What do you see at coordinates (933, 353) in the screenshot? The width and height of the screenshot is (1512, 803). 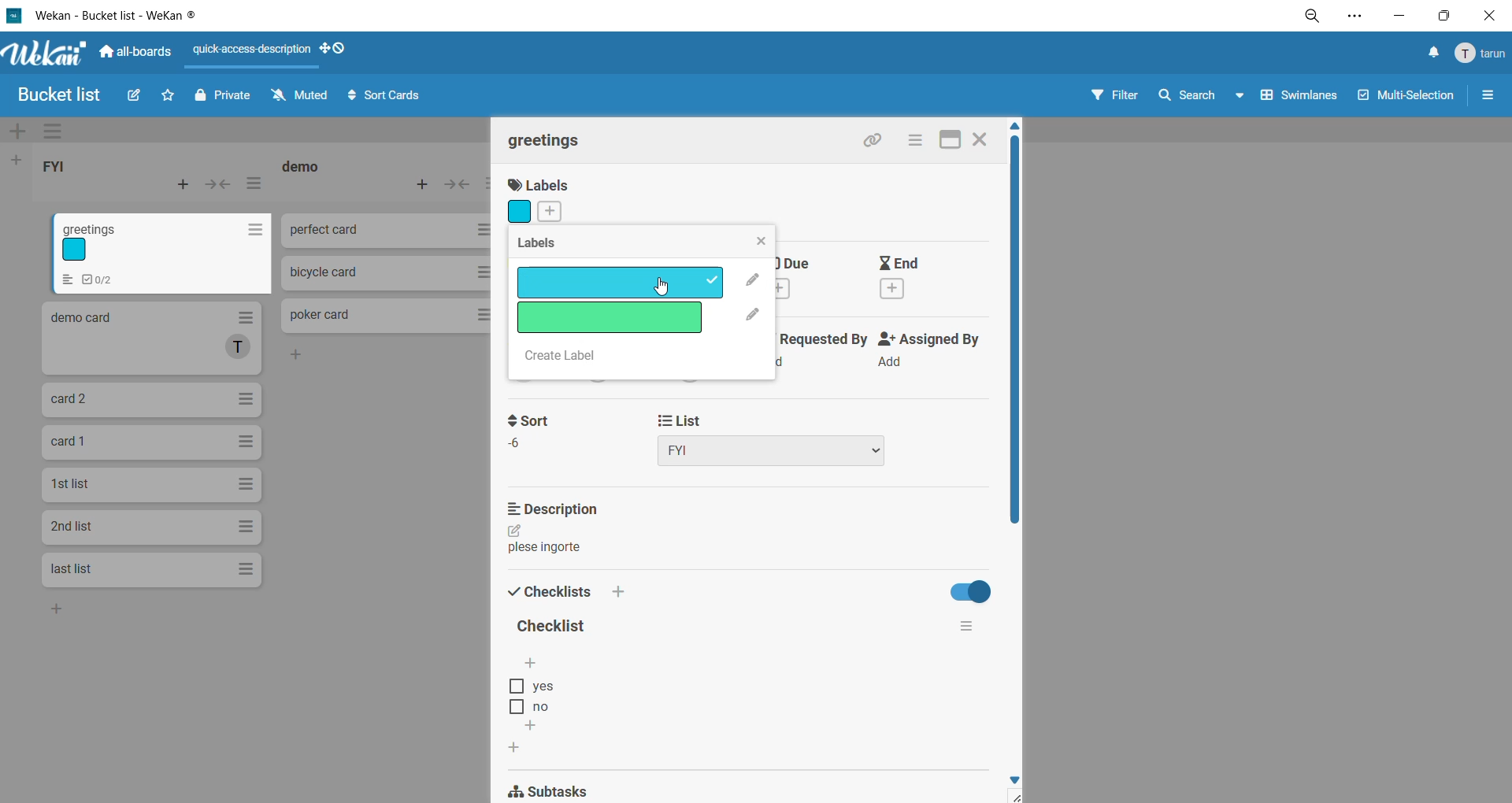 I see `assigned by` at bounding box center [933, 353].